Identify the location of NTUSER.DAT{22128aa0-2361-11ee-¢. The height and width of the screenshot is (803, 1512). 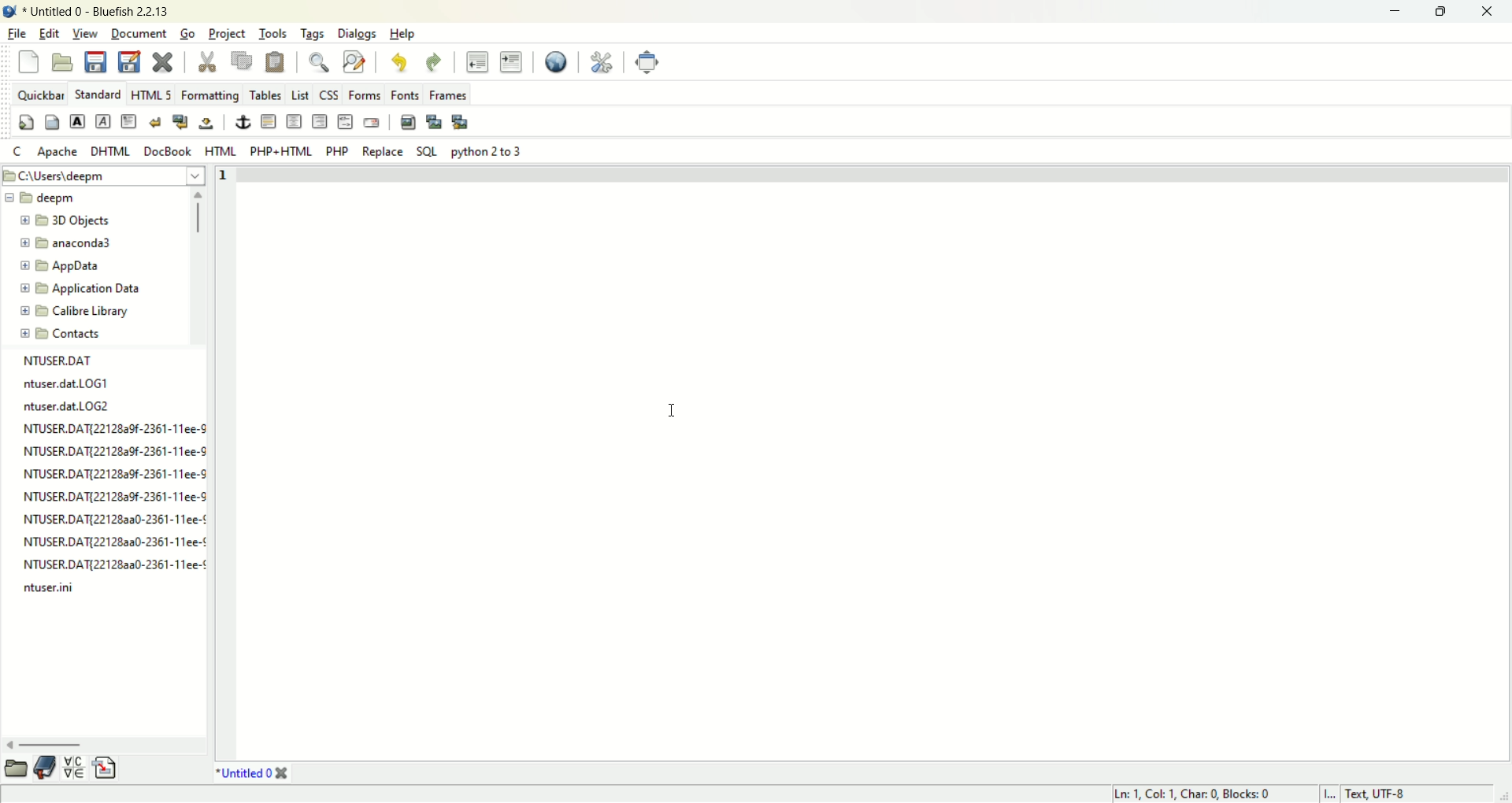
(109, 518).